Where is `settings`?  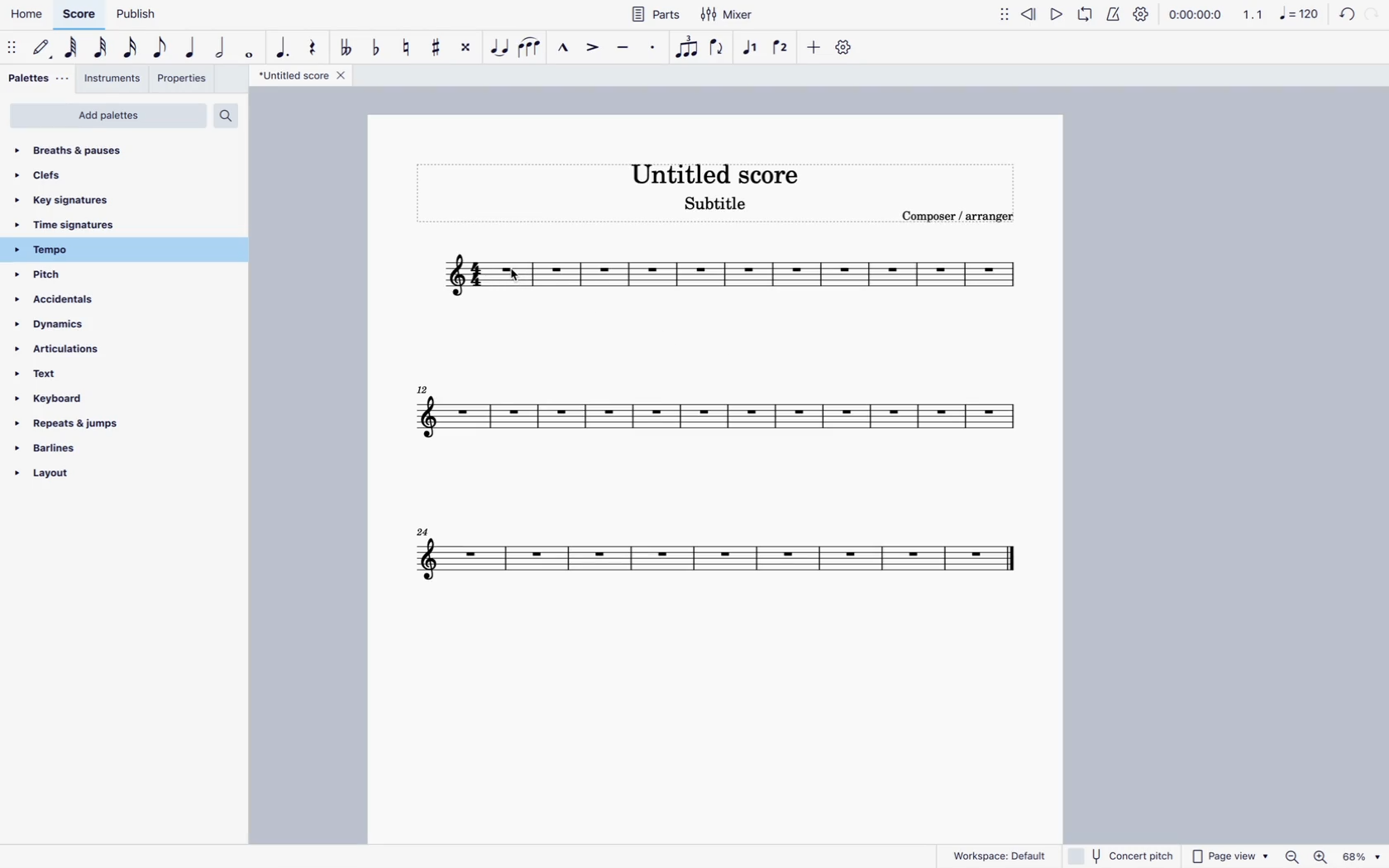 settings is located at coordinates (845, 49).